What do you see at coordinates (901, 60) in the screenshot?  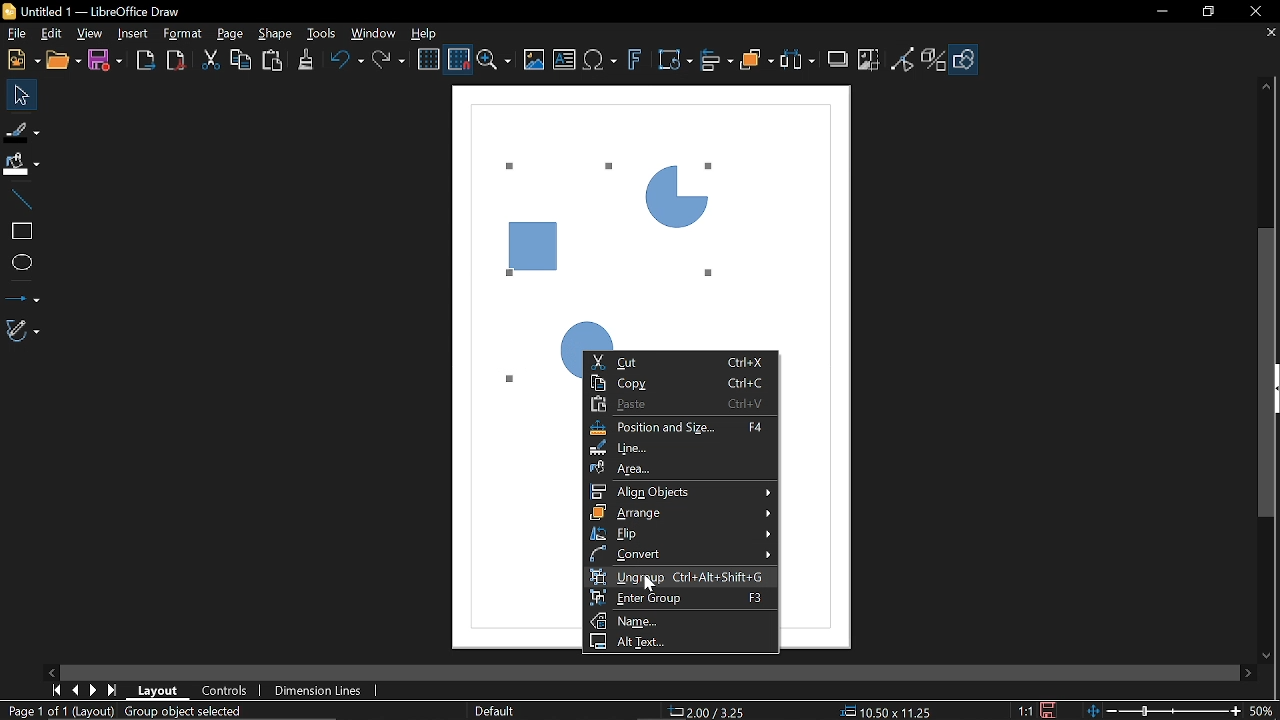 I see `Toggle point edit mode` at bounding box center [901, 60].